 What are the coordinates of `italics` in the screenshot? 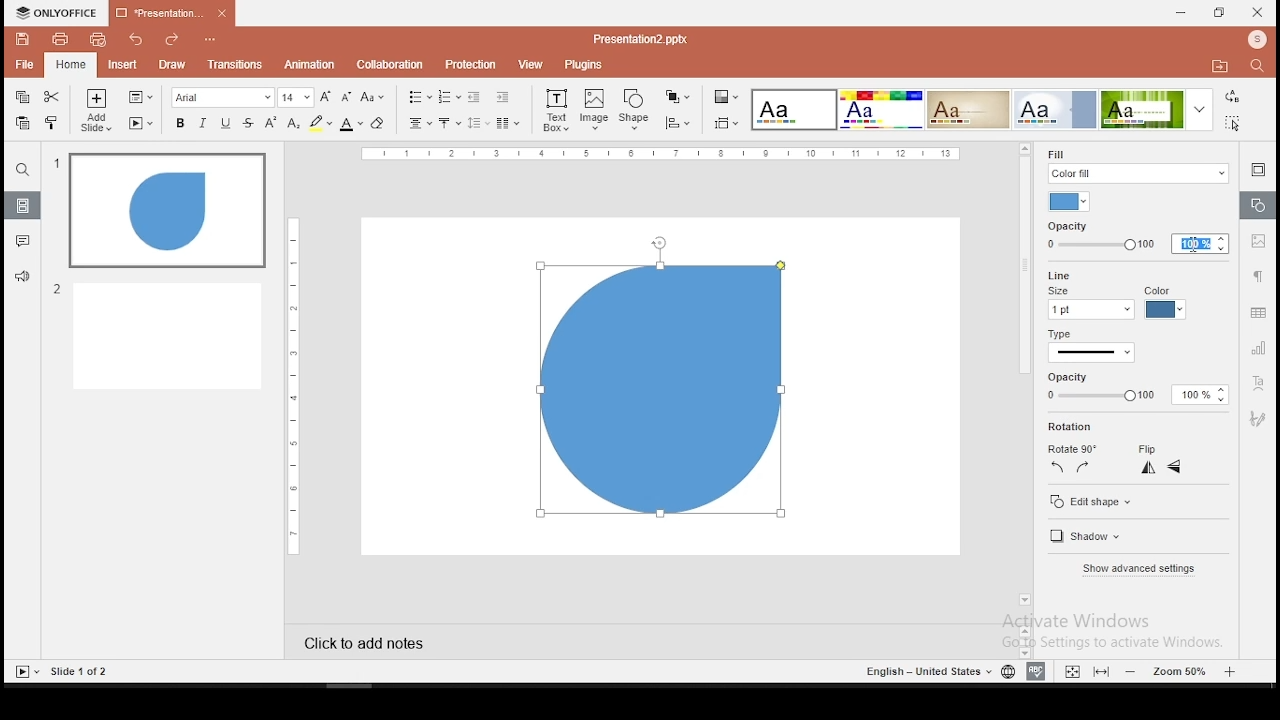 It's located at (201, 124).